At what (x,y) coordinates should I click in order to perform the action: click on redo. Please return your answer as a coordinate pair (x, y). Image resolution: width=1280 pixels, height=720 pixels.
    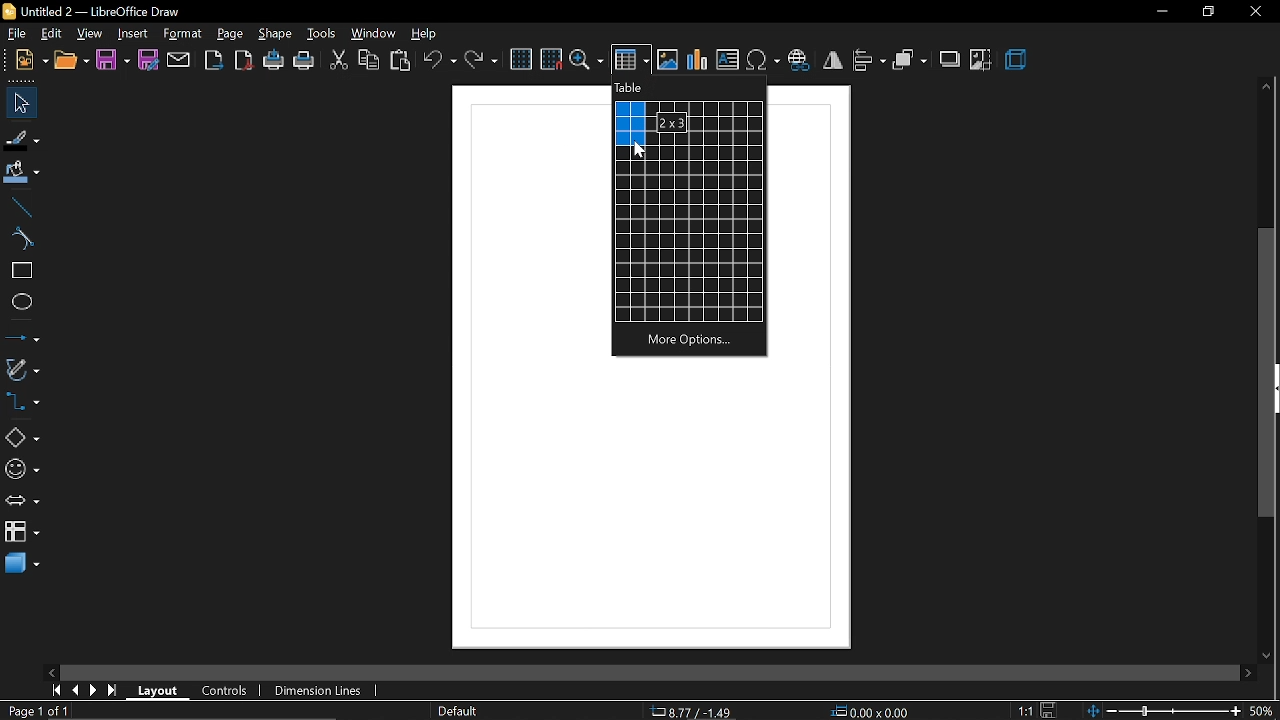
    Looking at the image, I should click on (481, 61).